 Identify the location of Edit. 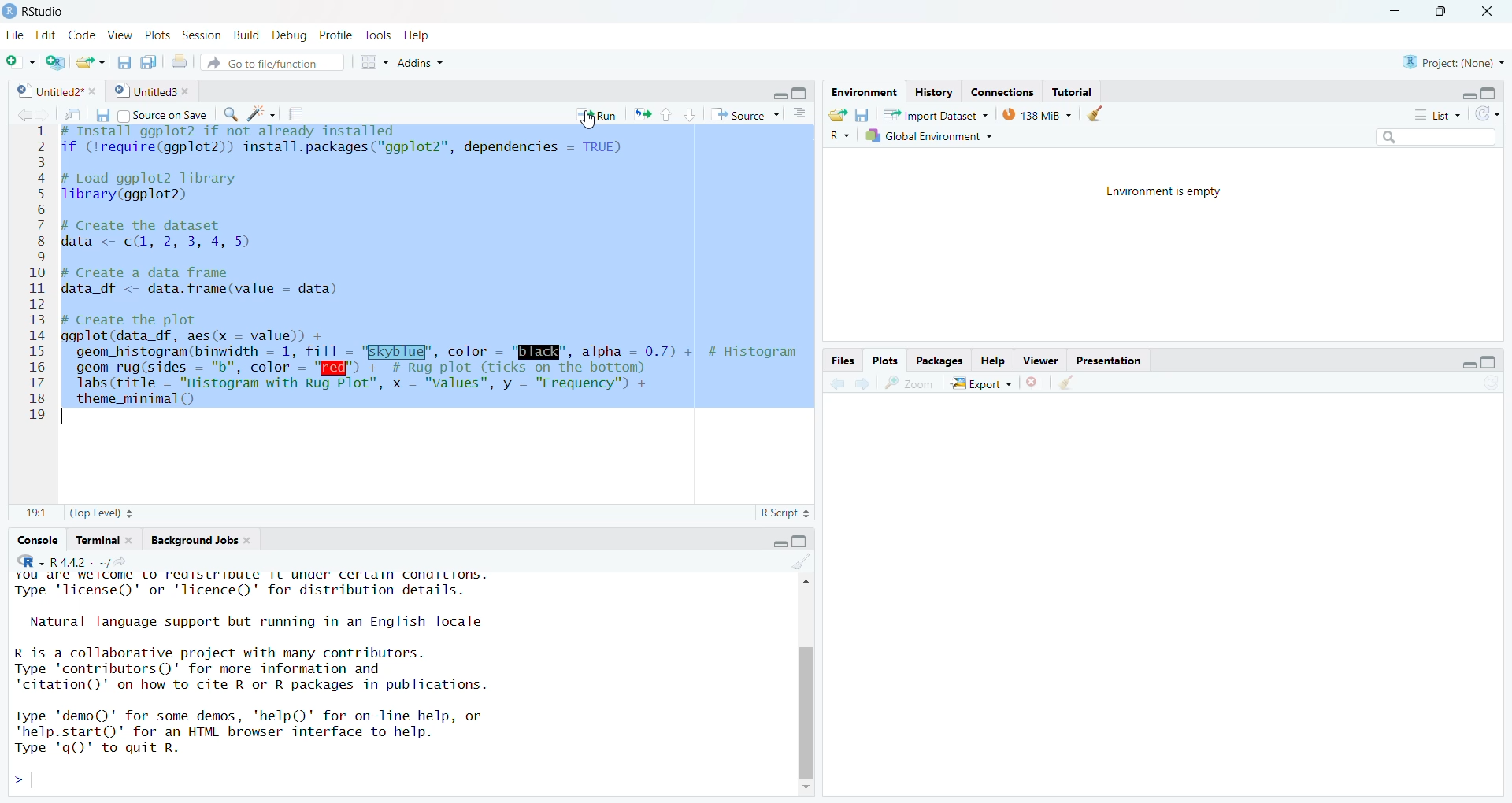
(42, 34).